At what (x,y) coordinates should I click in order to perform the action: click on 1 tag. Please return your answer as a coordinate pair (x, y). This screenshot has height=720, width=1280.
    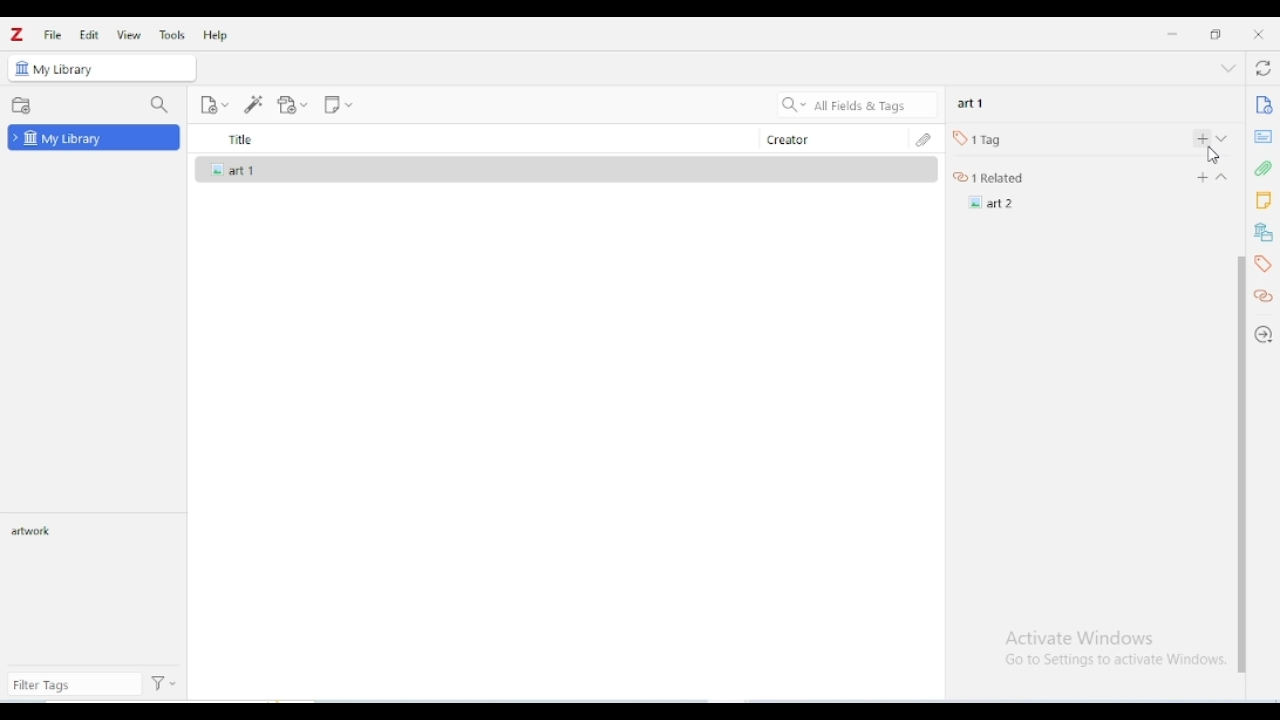
    Looking at the image, I should click on (994, 140).